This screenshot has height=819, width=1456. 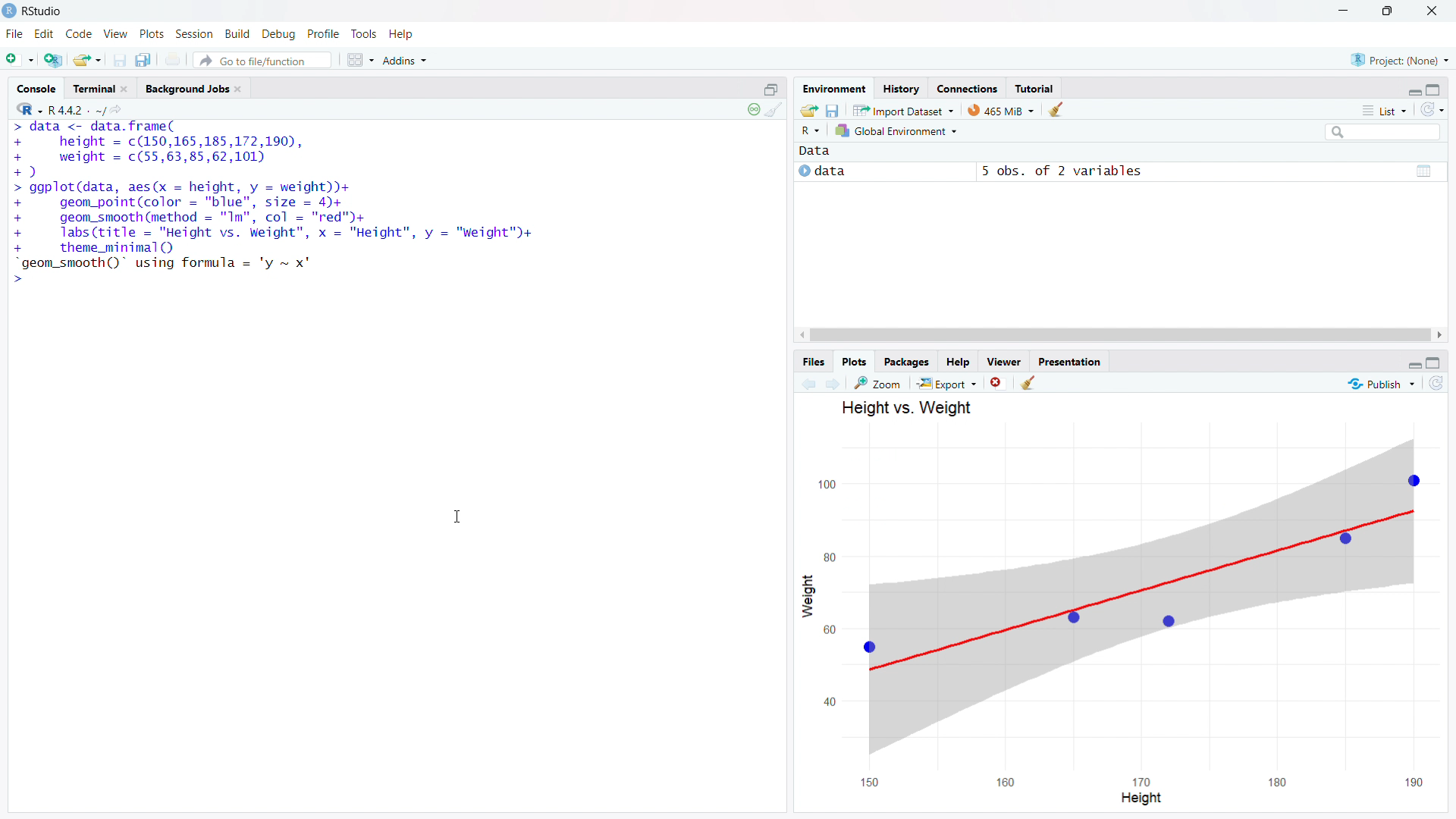 What do you see at coordinates (753, 109) in the screenshot?
I see `show status` at bounding box center [753, 109].